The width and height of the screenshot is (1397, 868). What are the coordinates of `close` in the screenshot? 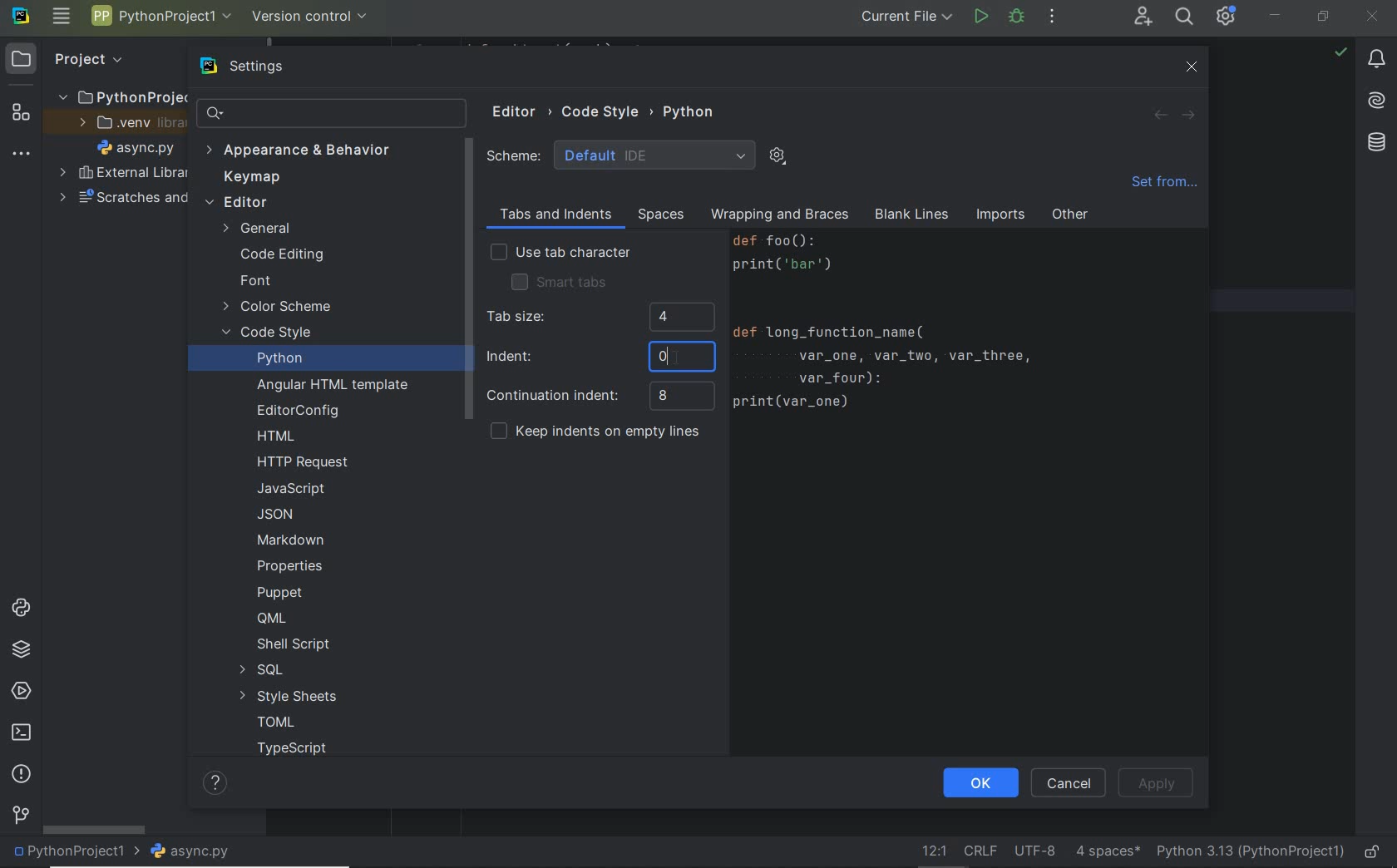 It's located at (1375, 18).